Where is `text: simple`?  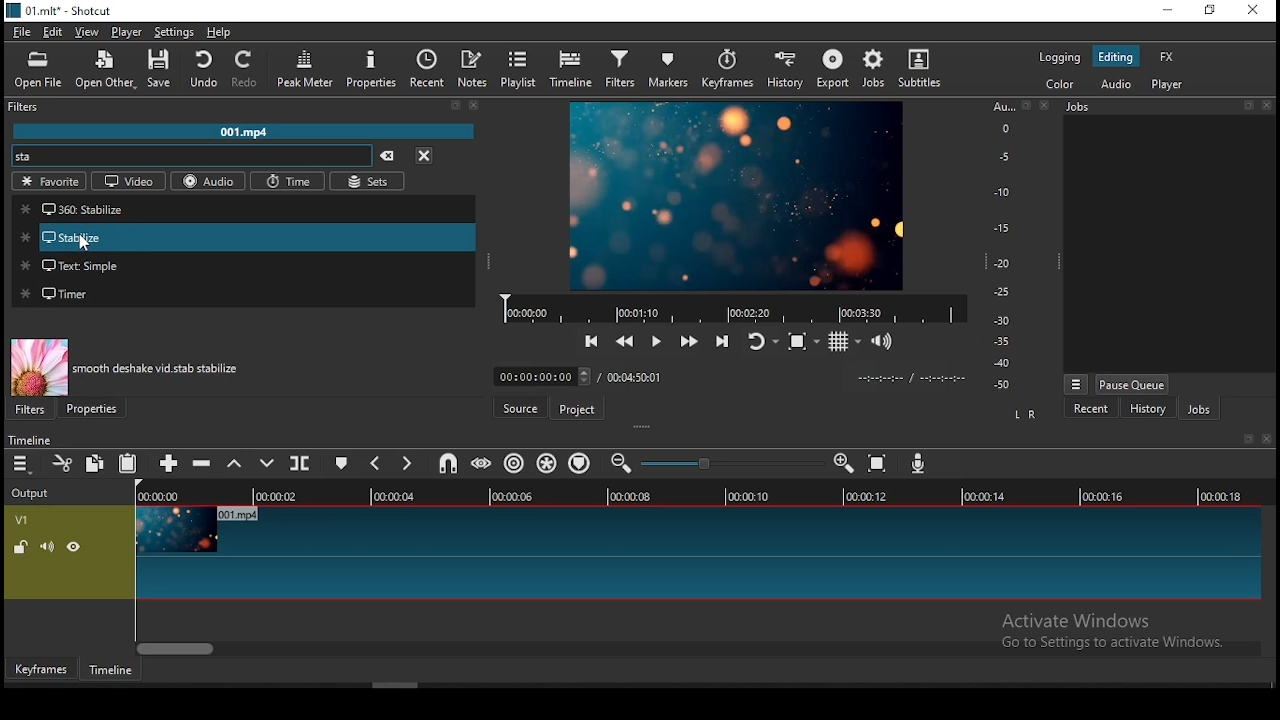 text: simple is located at coordinates (246, 269).